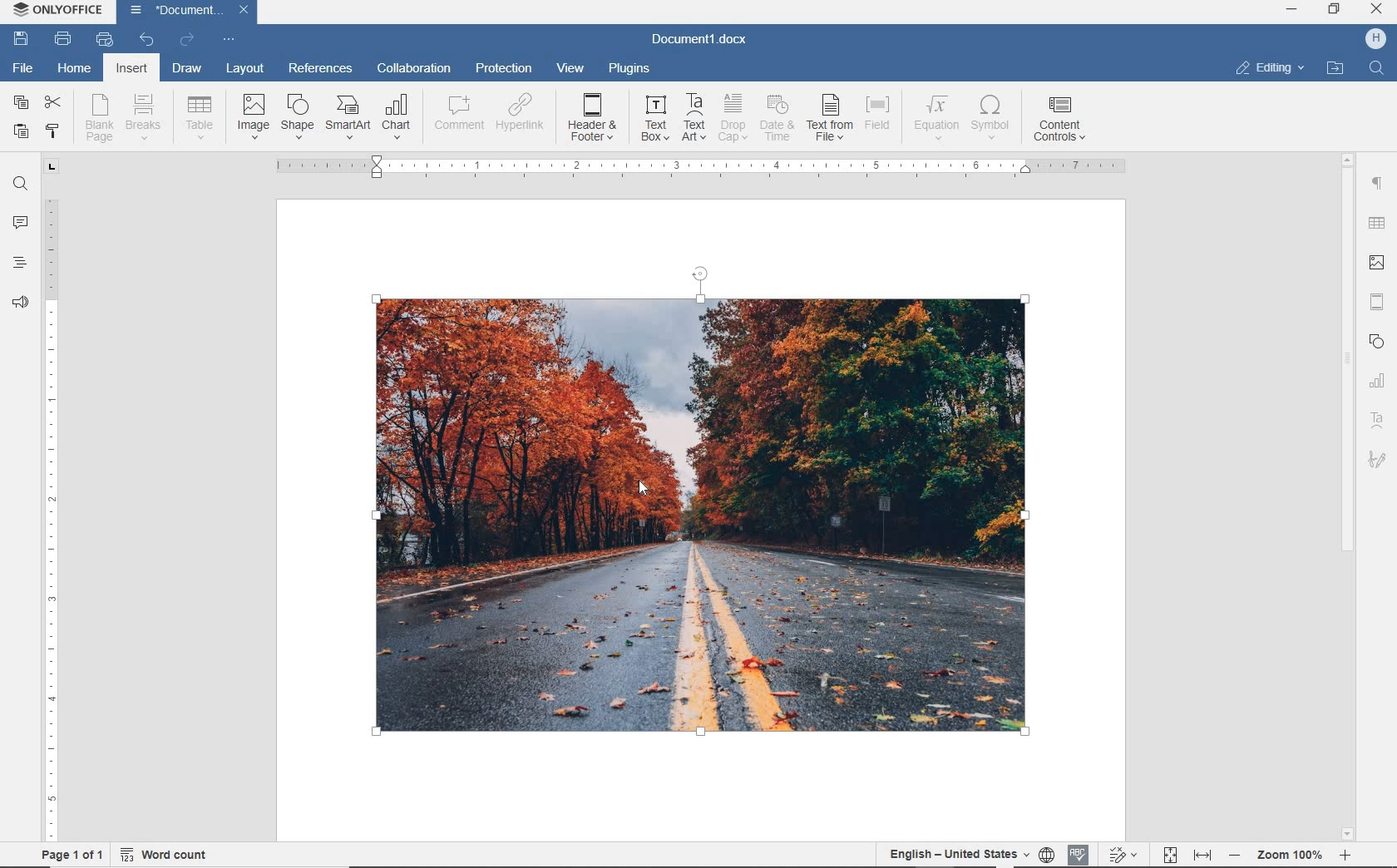 The image size is (1397, 868). What do you see at coordinates (1380, 337) in the screenshot?
I see `Shapes` at bounding box center [1380, 337].